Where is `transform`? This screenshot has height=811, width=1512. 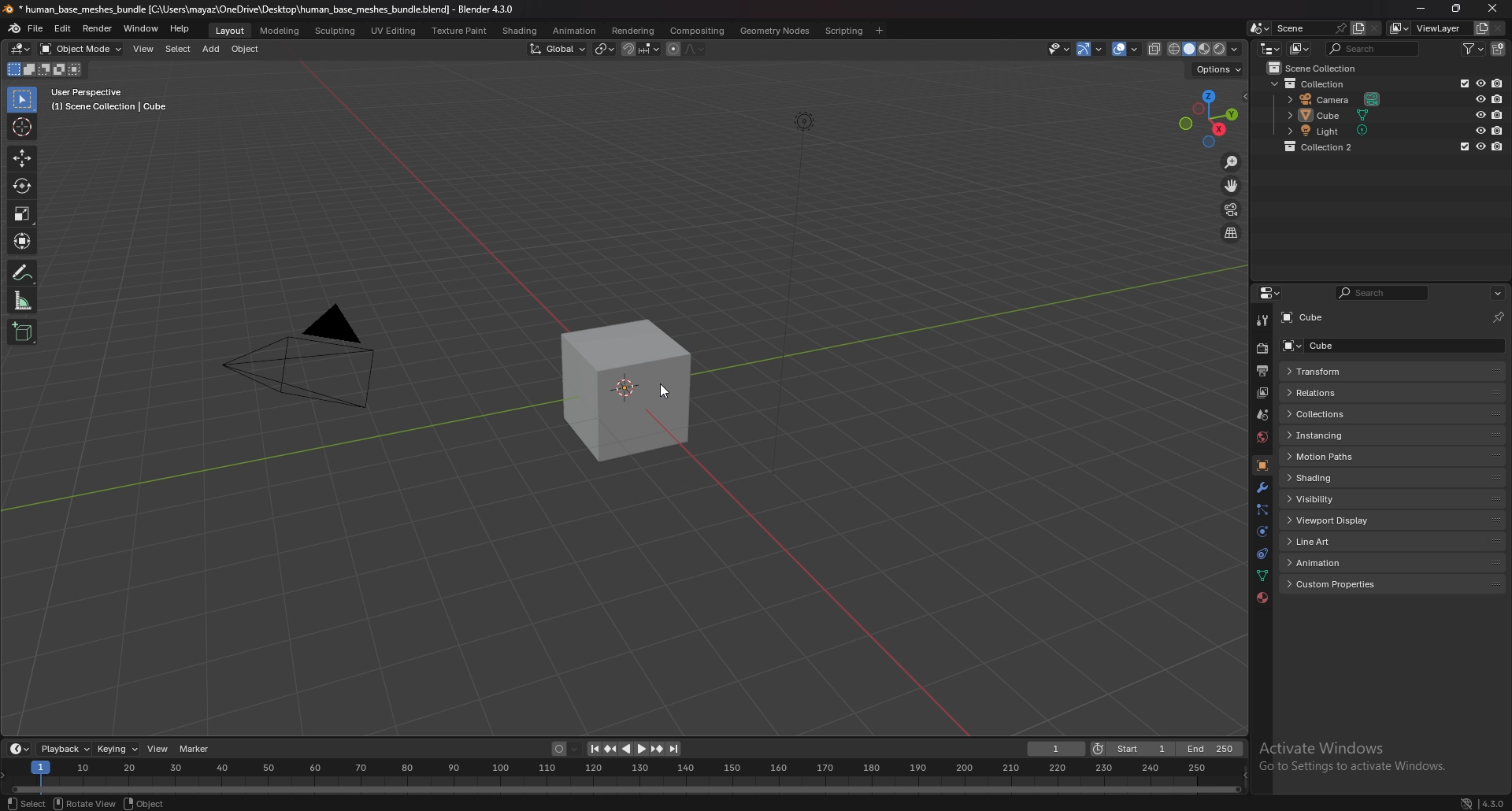
transform is located at coordinates (1338, 371).